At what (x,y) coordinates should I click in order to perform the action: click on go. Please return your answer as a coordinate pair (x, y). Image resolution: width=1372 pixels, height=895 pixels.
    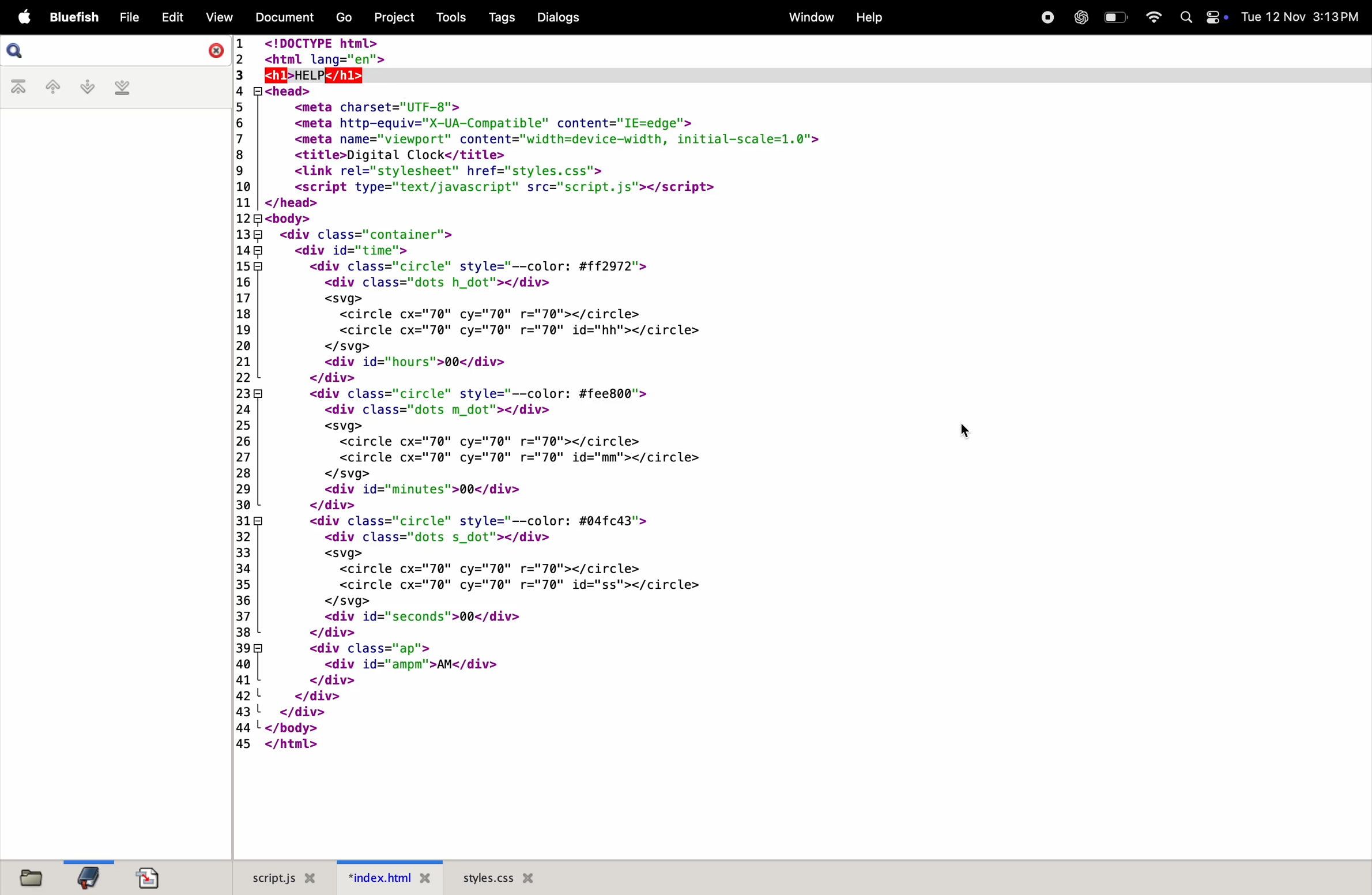
    Looking at the image, I should click on (342, 18).